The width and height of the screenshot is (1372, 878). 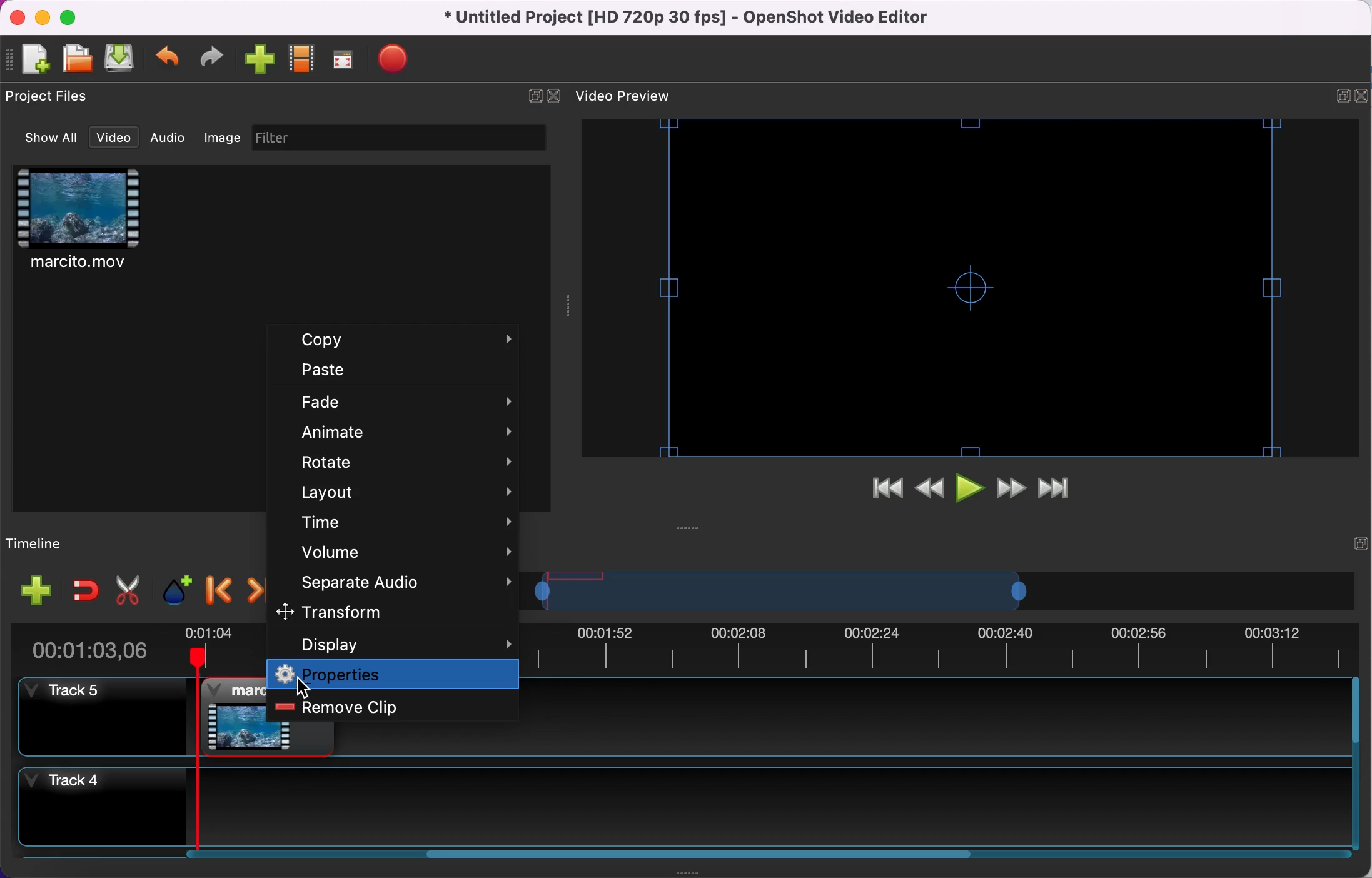 What do you see at coordinates (30, 61) in the screenshot?
I see `new file` at bounding box center [30, 61].